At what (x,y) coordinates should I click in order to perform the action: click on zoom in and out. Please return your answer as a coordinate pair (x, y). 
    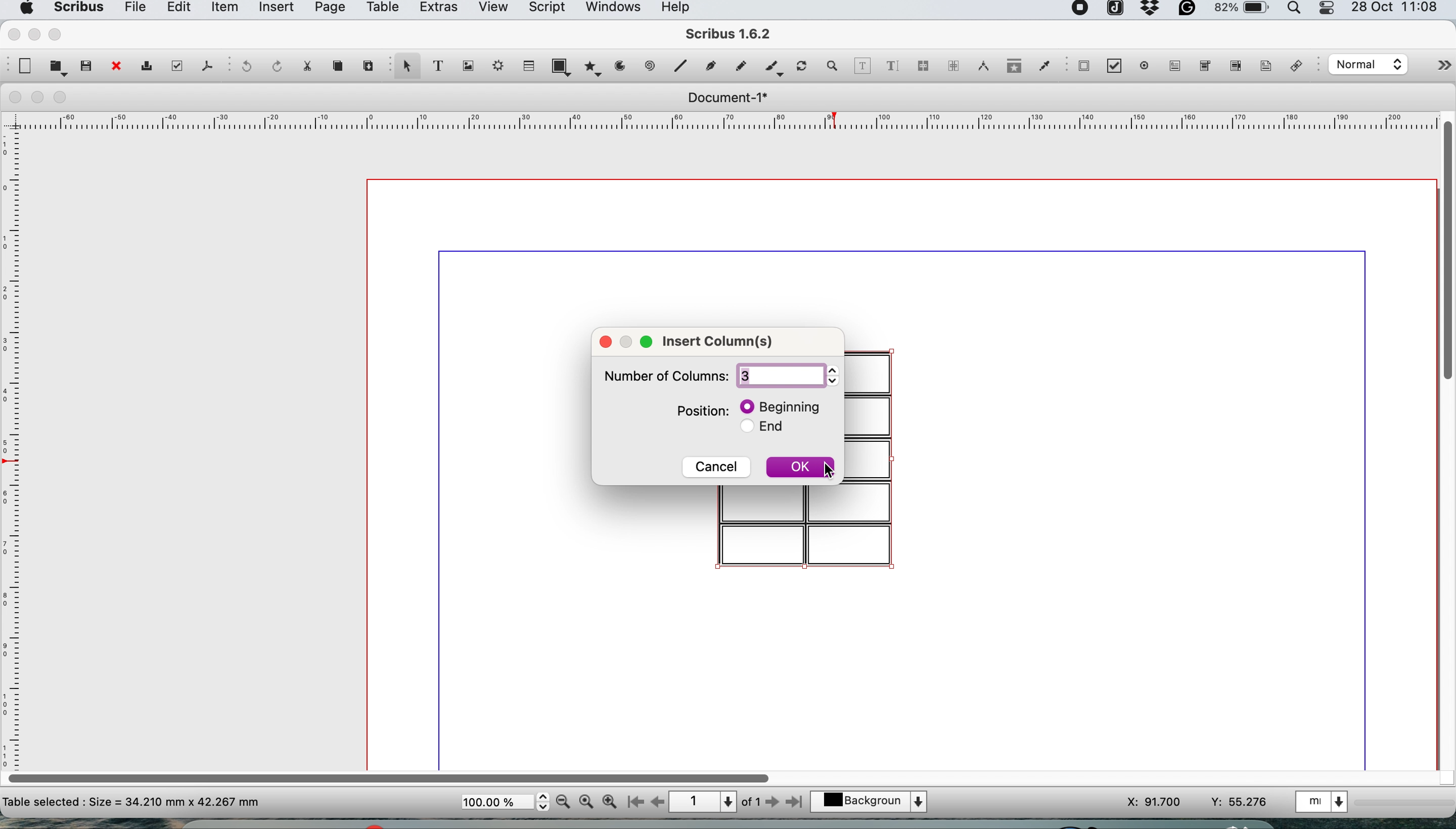
    Looking at the image, I should click on (833, 66).